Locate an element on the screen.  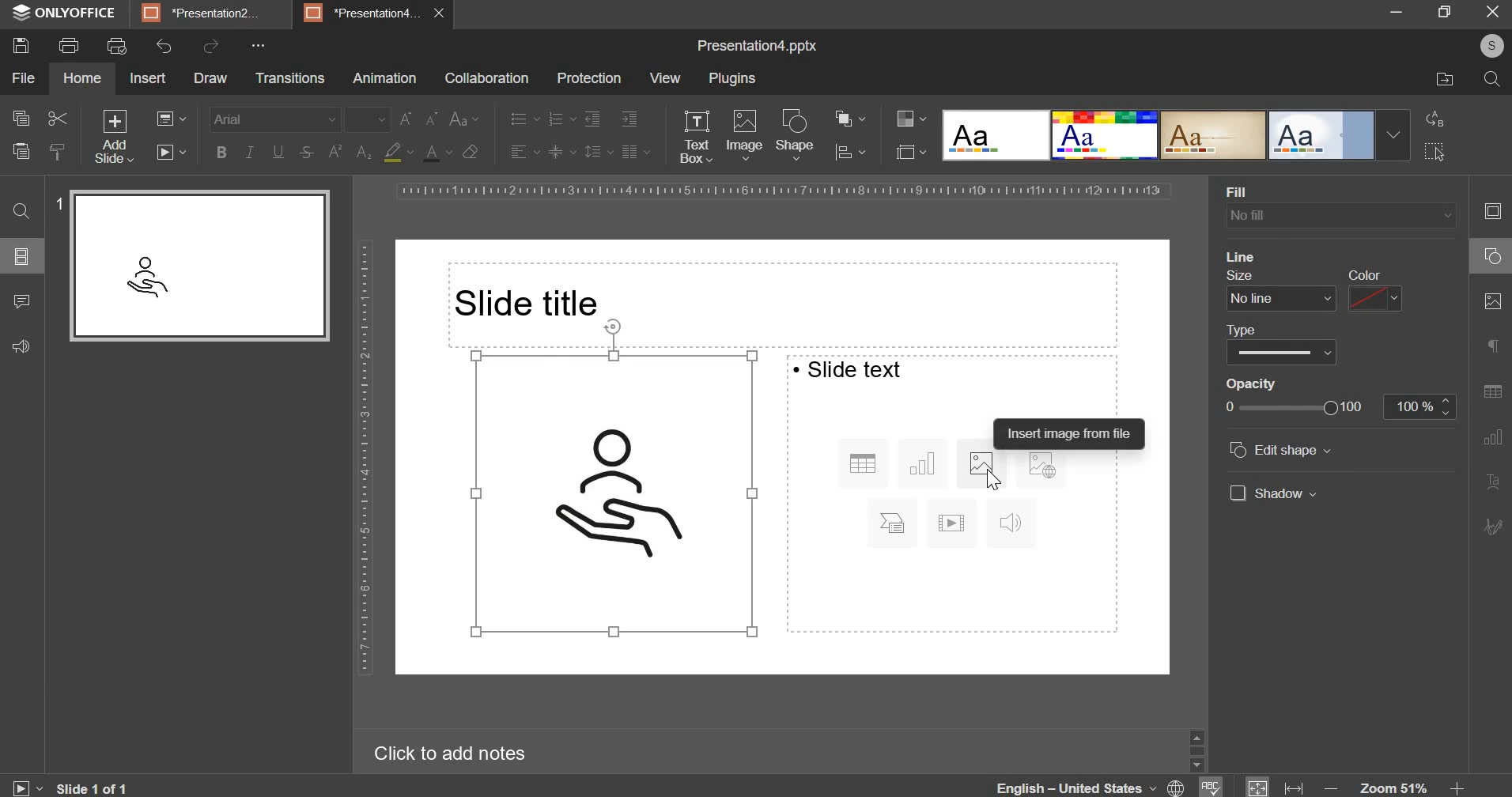
redo is located at coordinates (211, 47).